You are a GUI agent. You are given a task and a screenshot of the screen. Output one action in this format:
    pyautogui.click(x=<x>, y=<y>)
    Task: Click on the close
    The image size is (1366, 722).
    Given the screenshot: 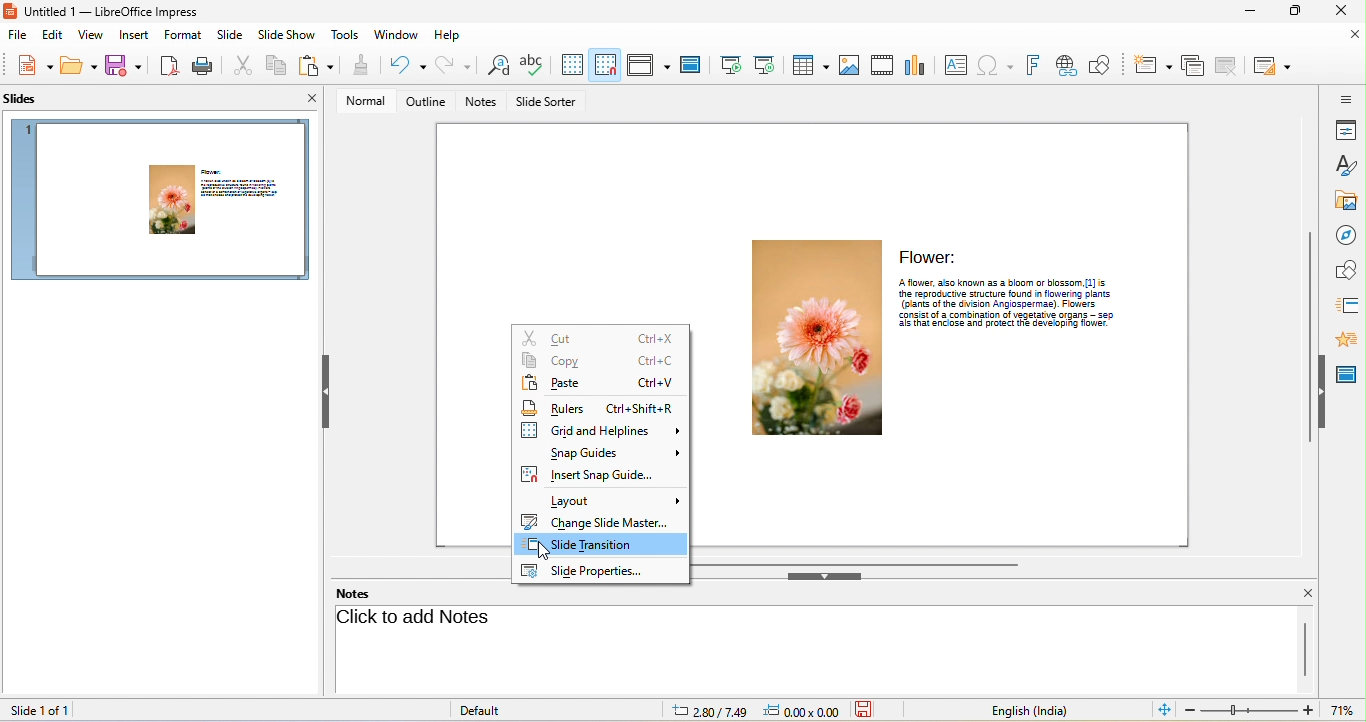 What is the action you would take?
    pyautogui.click(x=1354, y=37)
    